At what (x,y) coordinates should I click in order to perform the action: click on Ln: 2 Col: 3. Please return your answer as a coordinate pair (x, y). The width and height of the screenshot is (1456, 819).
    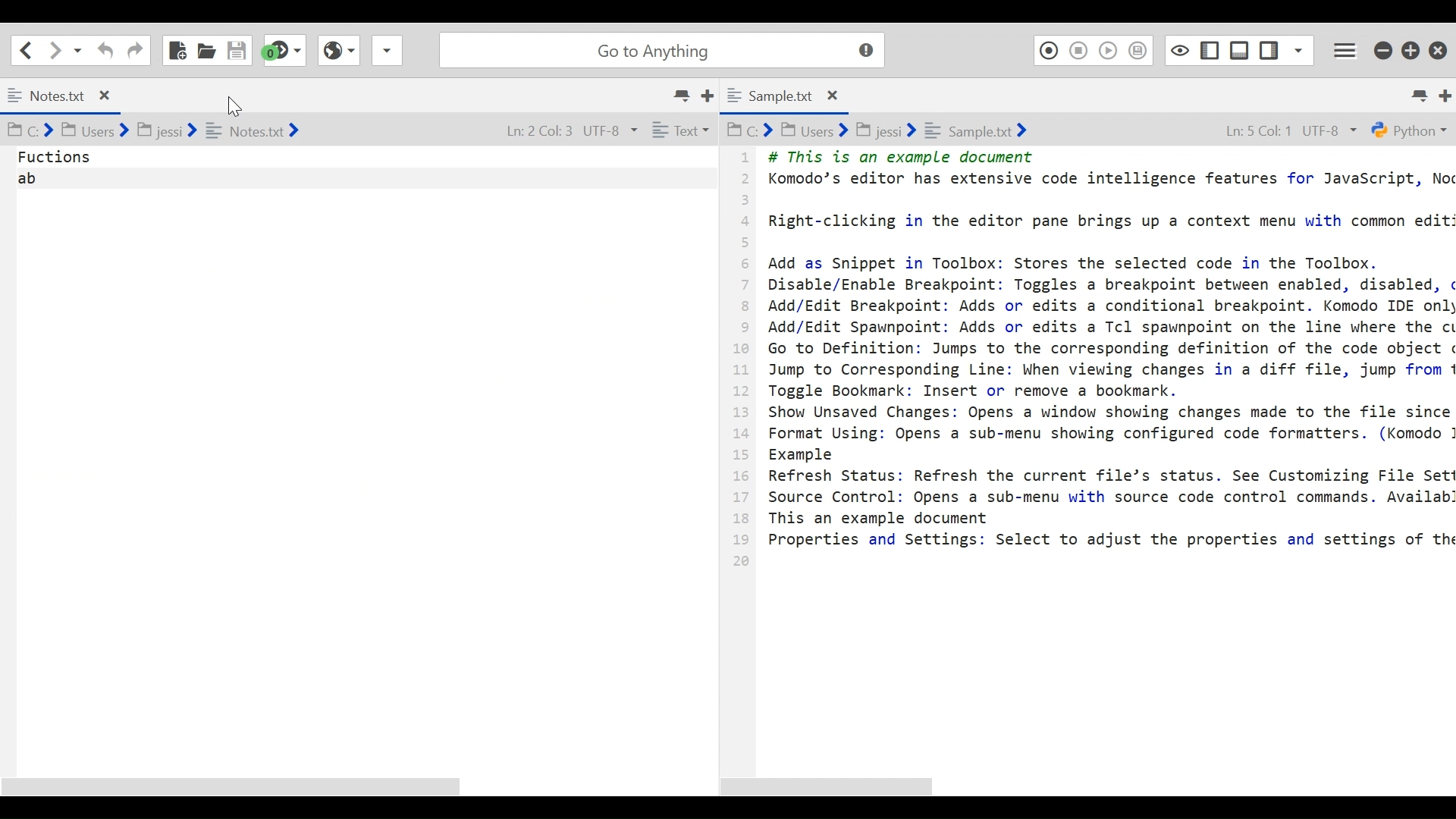
    Looking at the image, I should click on (530, 128).